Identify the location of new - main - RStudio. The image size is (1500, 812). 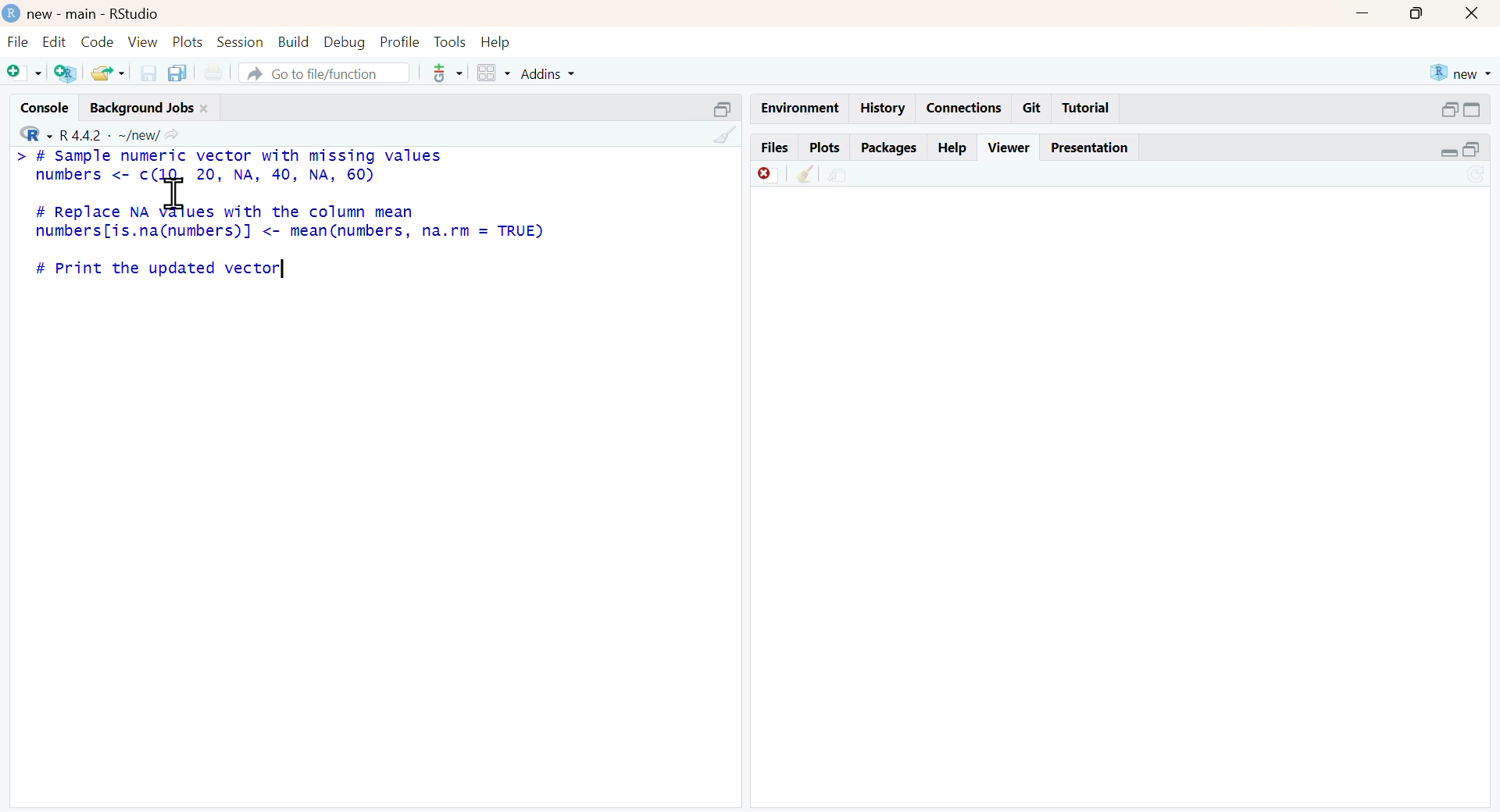
(96, 15).